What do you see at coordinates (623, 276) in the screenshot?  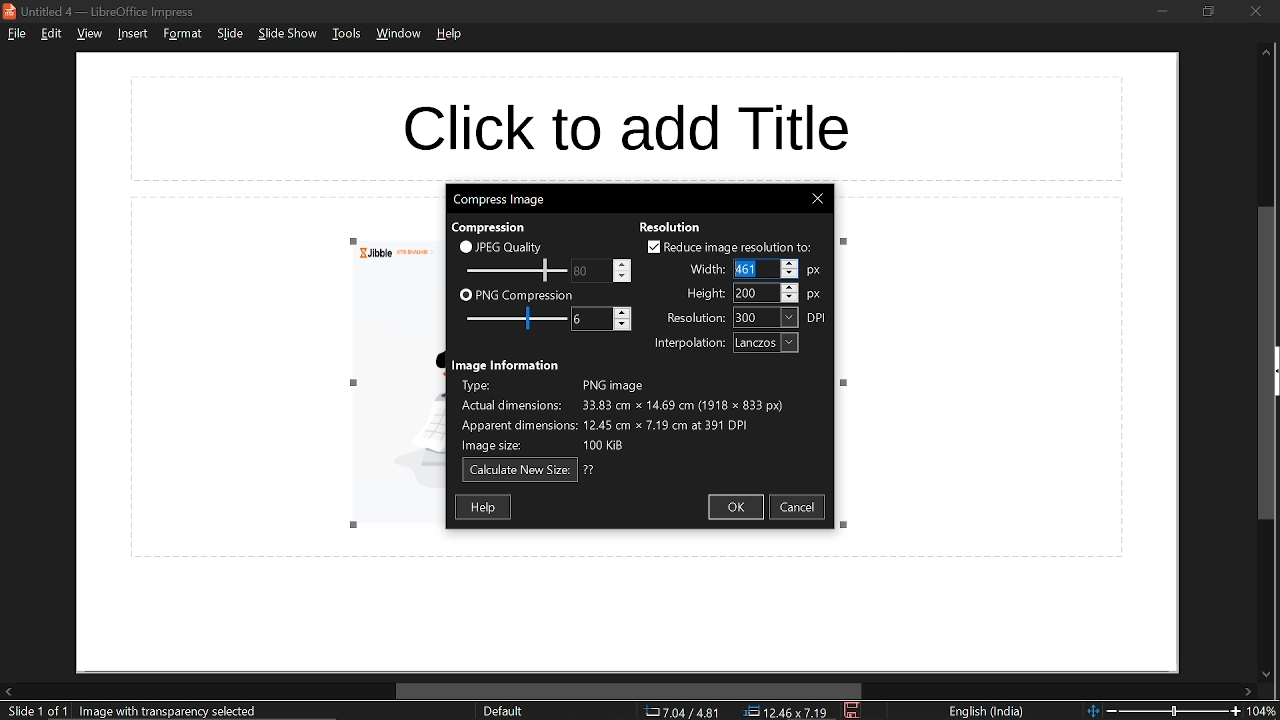 I see `Decrease ` at bounding box center [623, 276].